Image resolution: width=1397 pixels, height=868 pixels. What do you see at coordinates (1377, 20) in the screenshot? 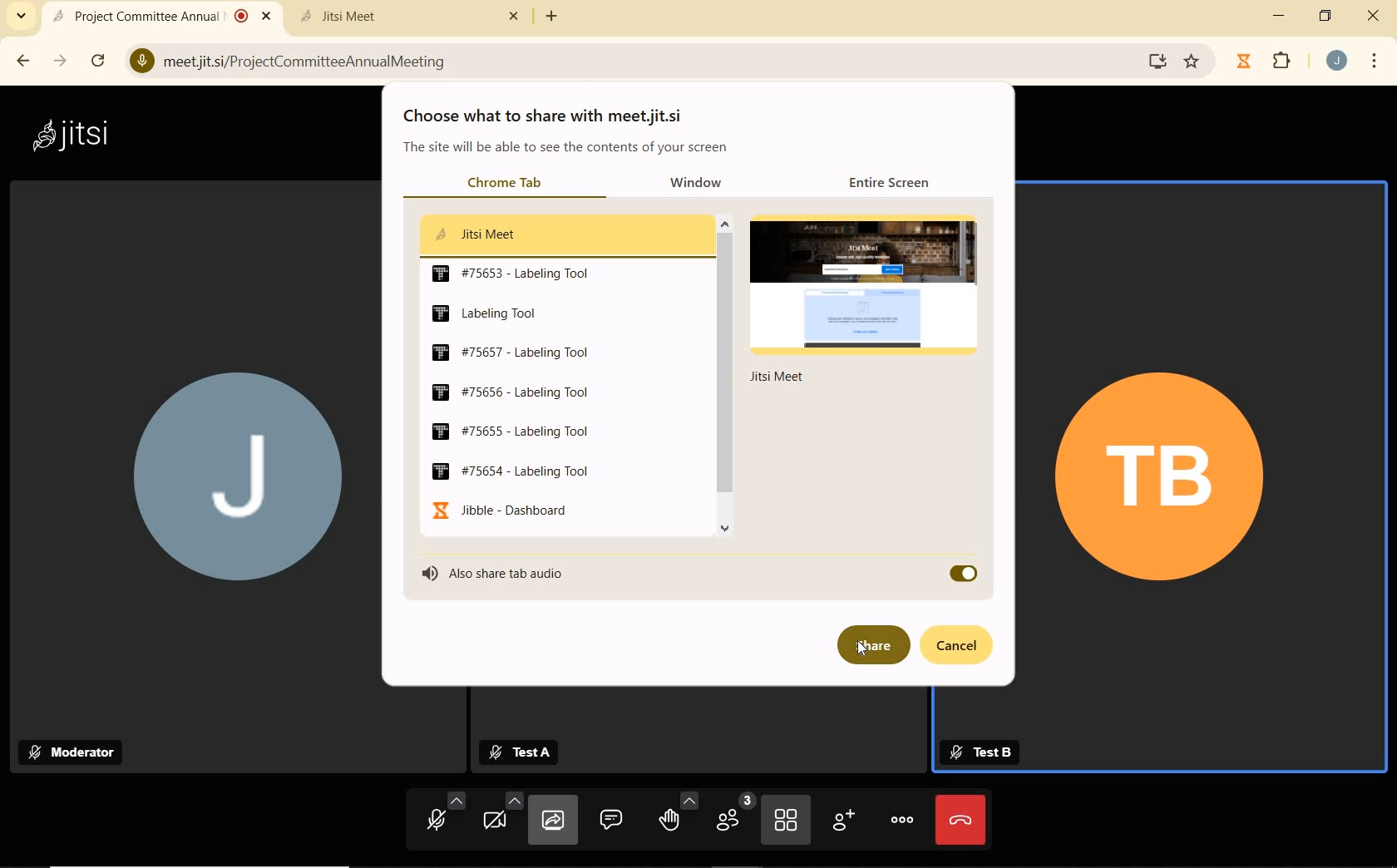
I see `close` at bounding box center [1377, 20].